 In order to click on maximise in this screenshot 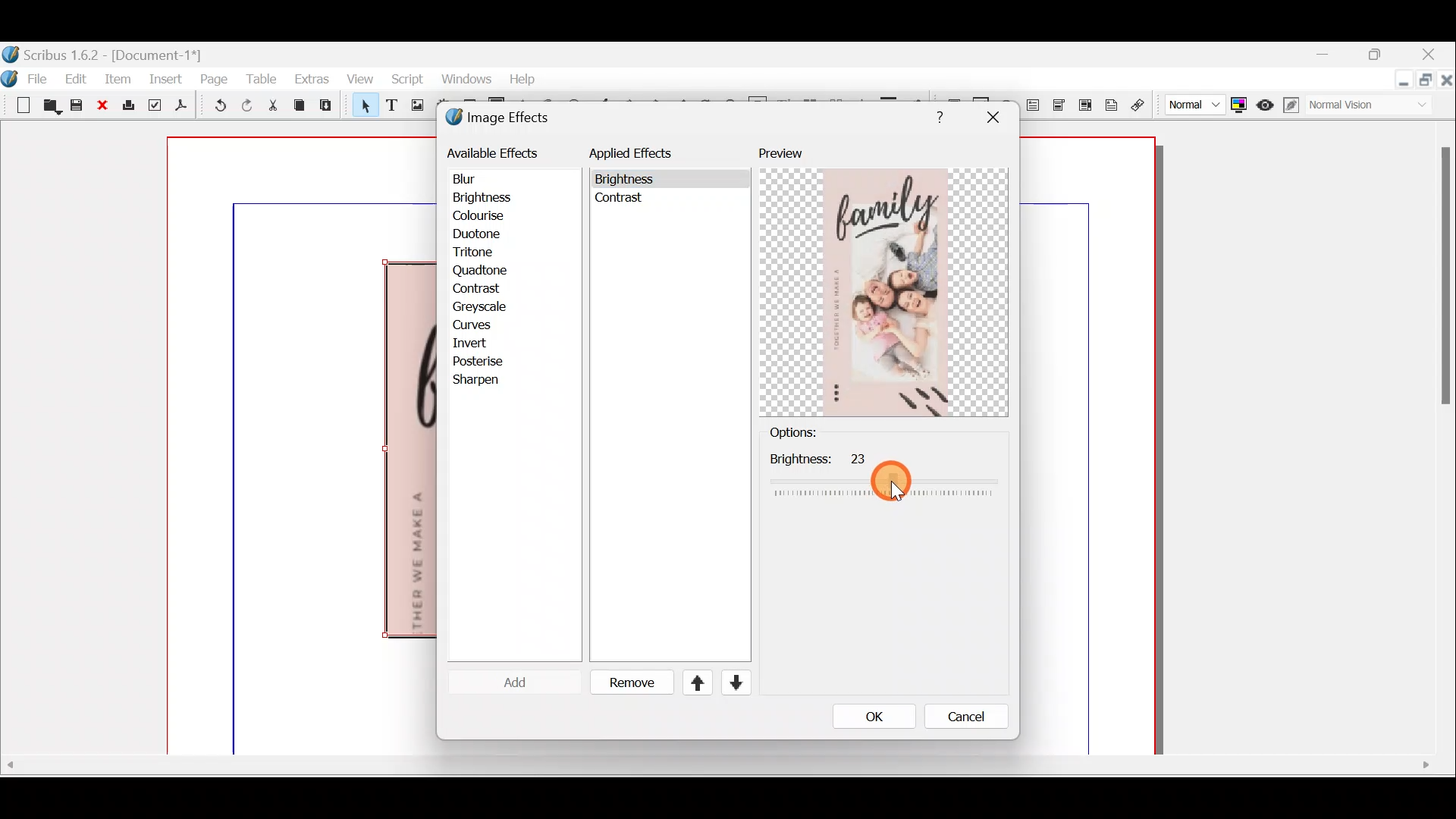, I will do `click(1379, 57)`.